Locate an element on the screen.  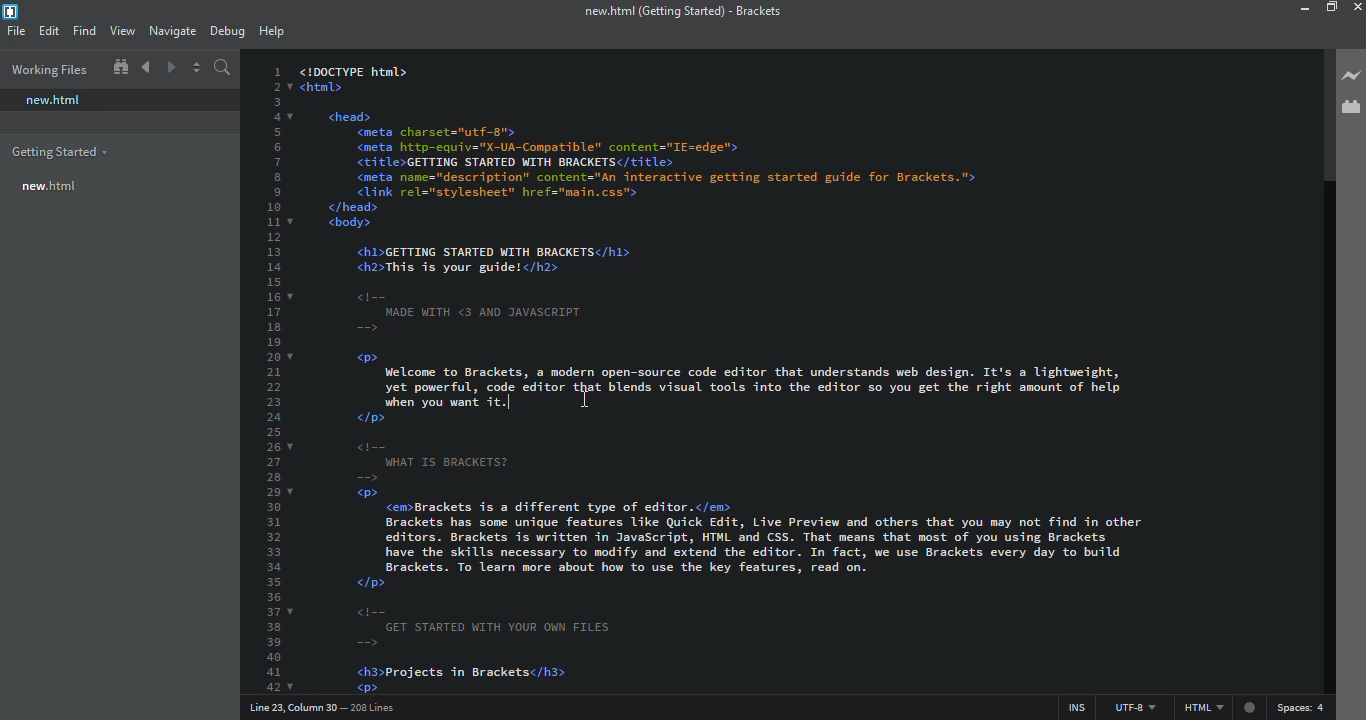
ins is located at coordinates (1073, 706).